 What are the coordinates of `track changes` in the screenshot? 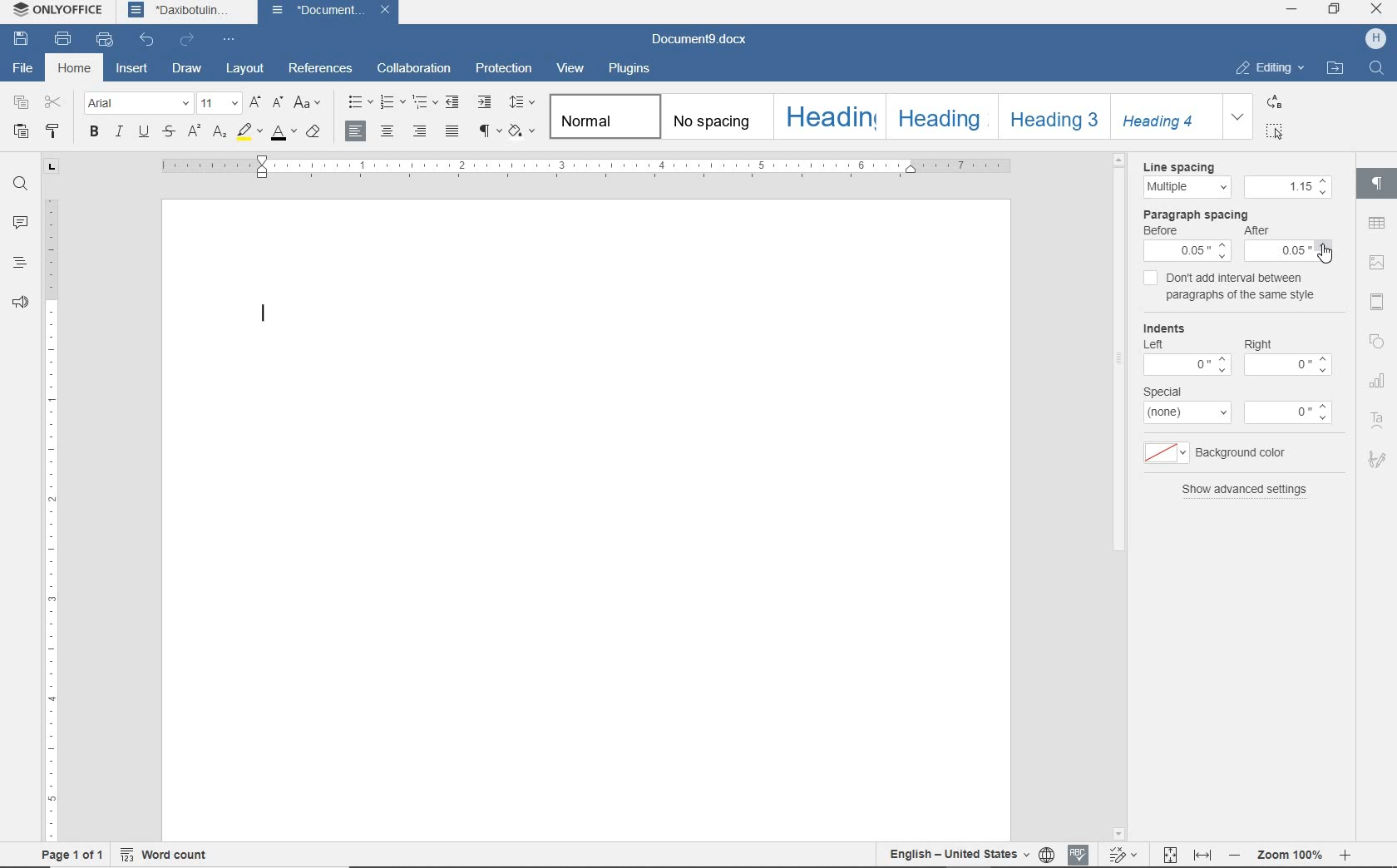 It's located at (1122, 854).